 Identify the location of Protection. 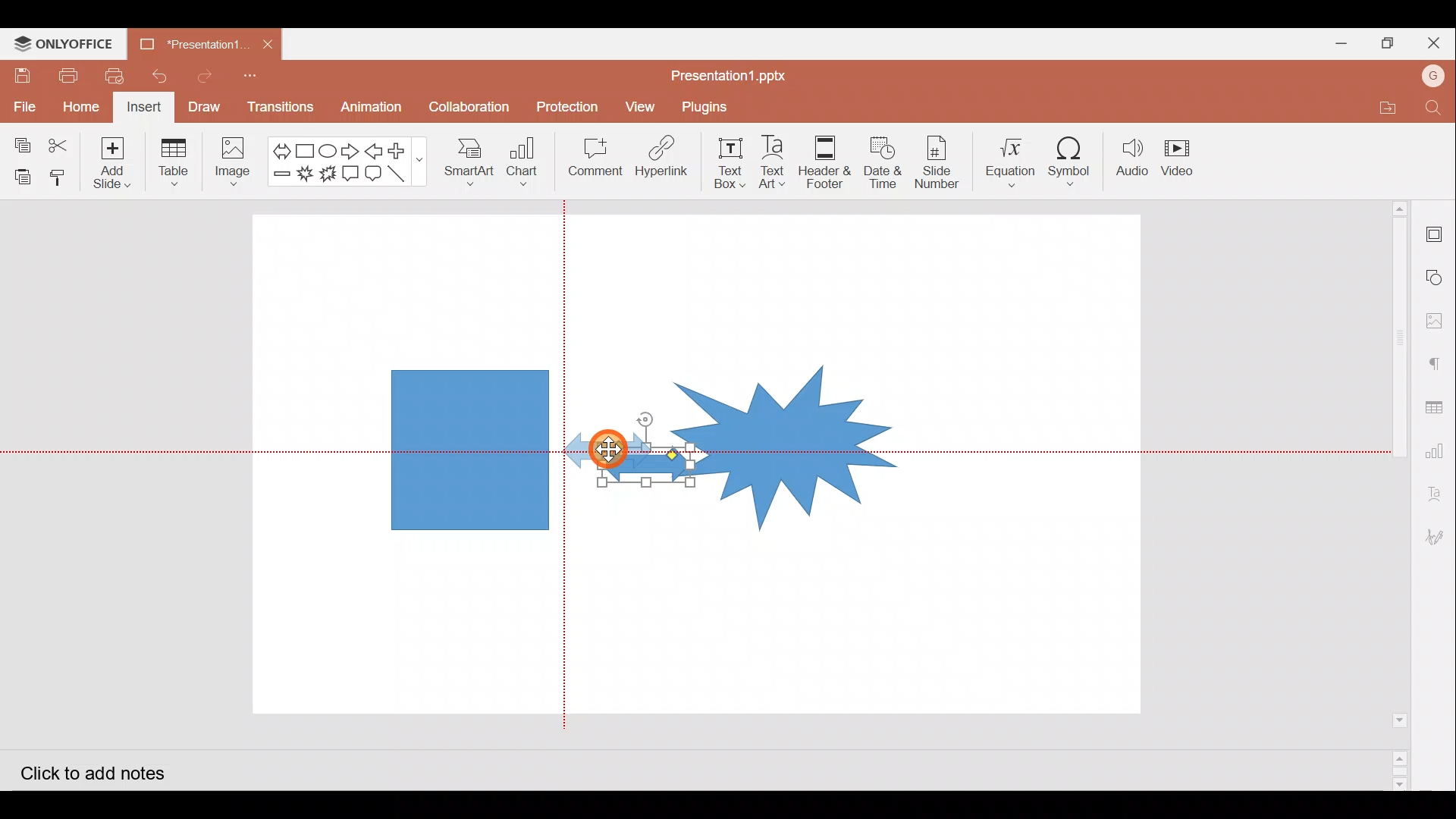
(568, 104).